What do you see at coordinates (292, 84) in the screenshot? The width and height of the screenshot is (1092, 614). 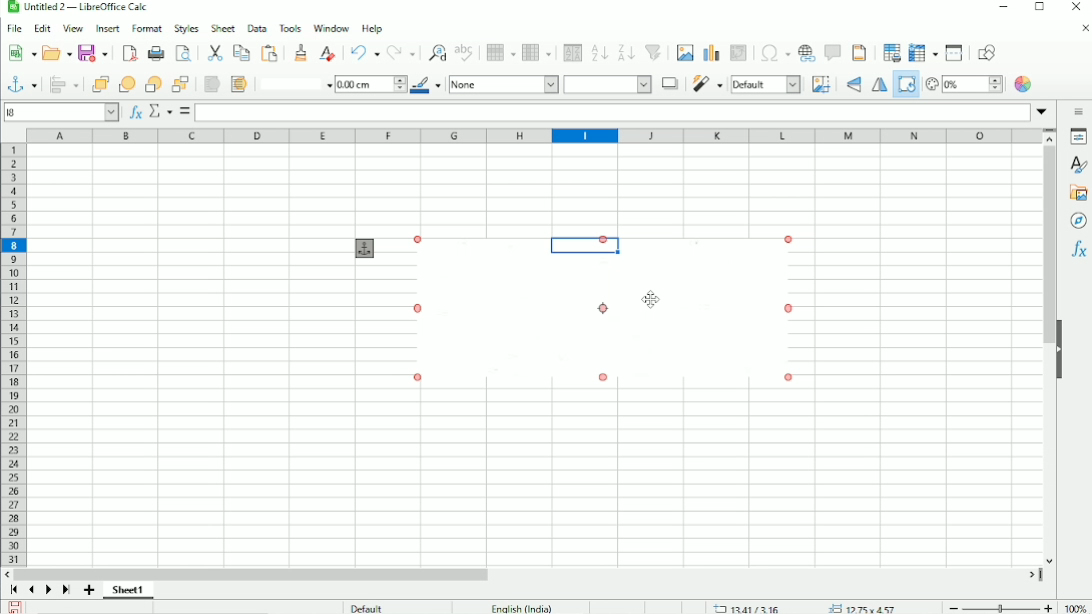 I see `Line style` at bounding box center [292, 84].